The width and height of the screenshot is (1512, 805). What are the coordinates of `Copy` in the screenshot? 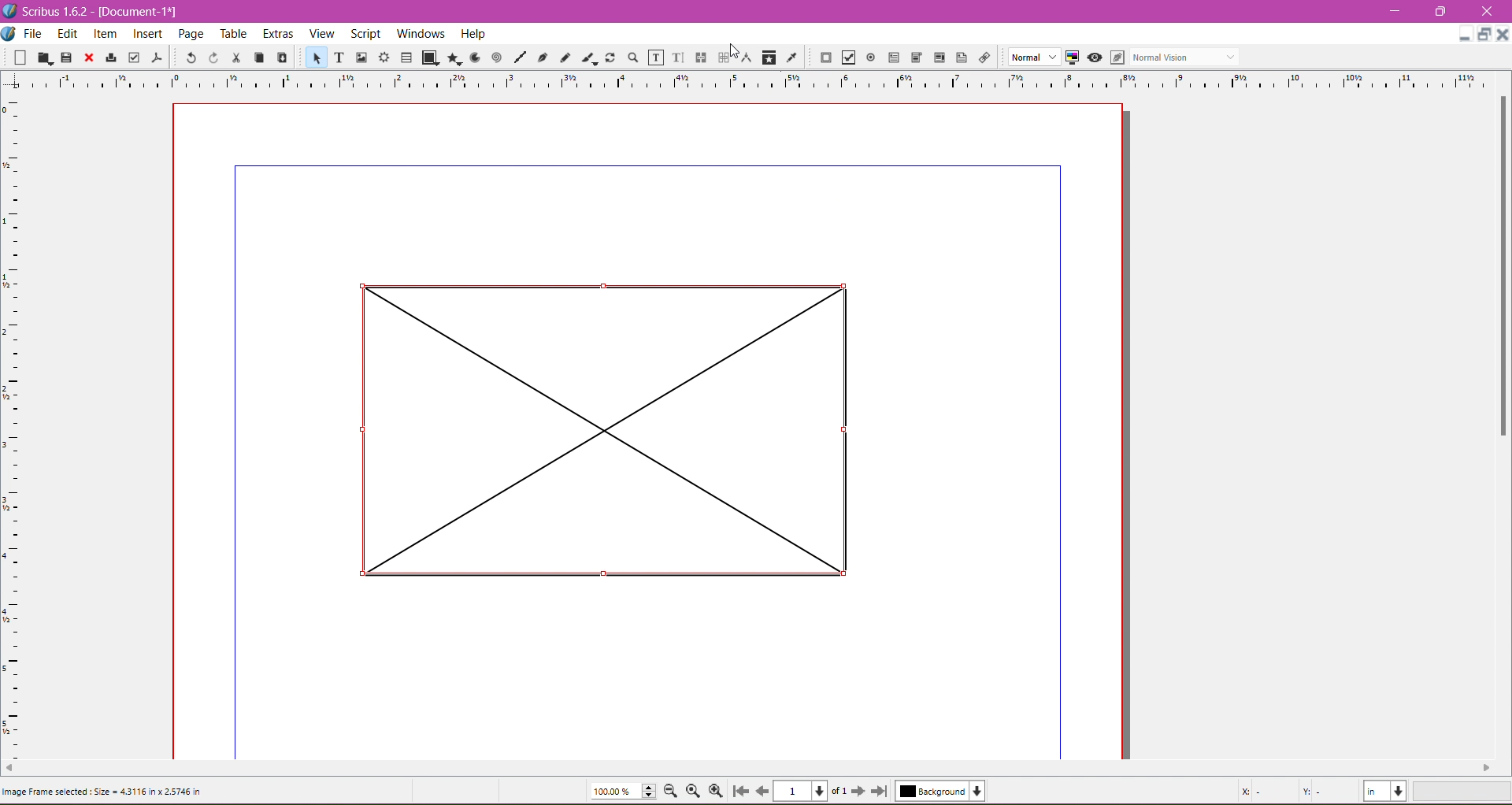 It's located at (258, 57).